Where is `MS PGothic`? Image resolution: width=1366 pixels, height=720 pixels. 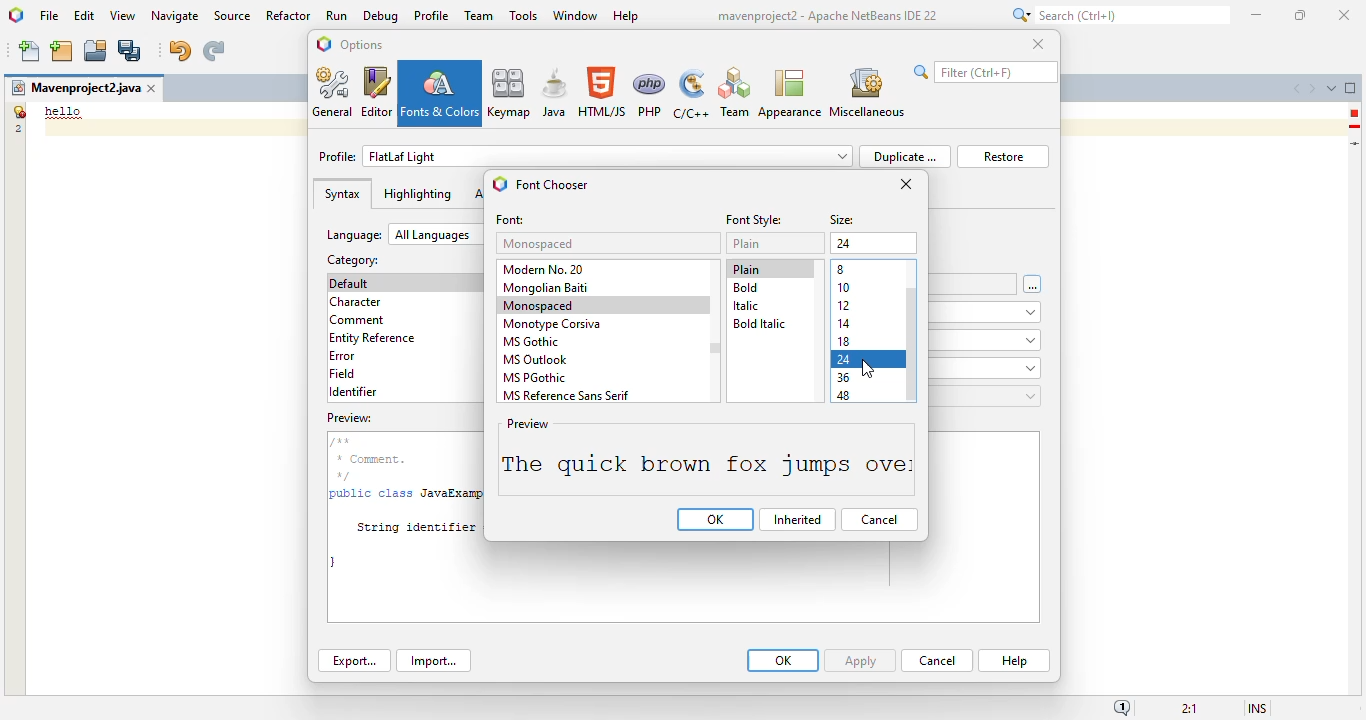
MS PGothic is located at coordinates (535, 378).